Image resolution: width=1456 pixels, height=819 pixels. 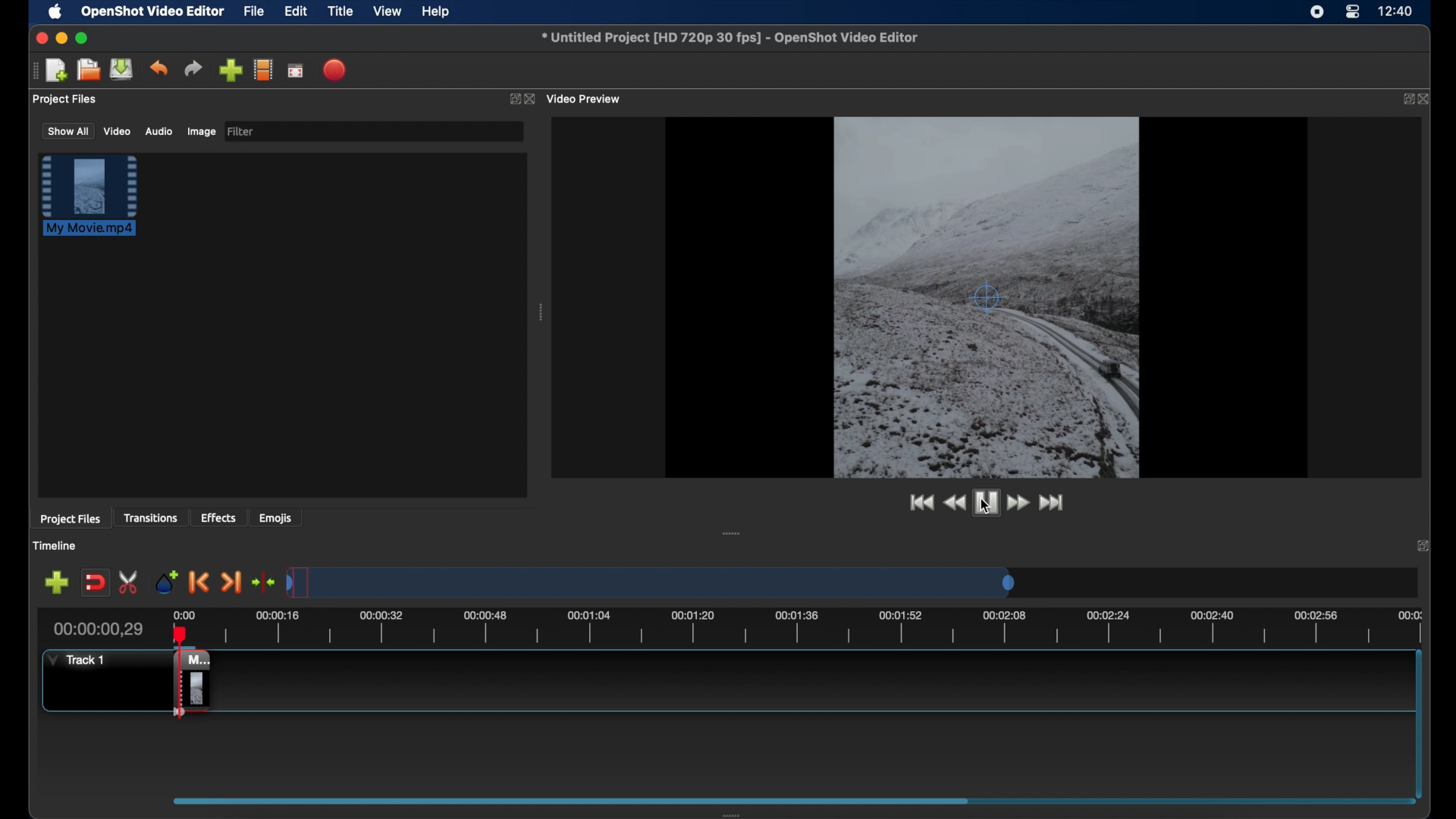 What do you see at coordinates (1405, 99) in the screenshot?
I see `expand` at bounding box center [1405, 99].